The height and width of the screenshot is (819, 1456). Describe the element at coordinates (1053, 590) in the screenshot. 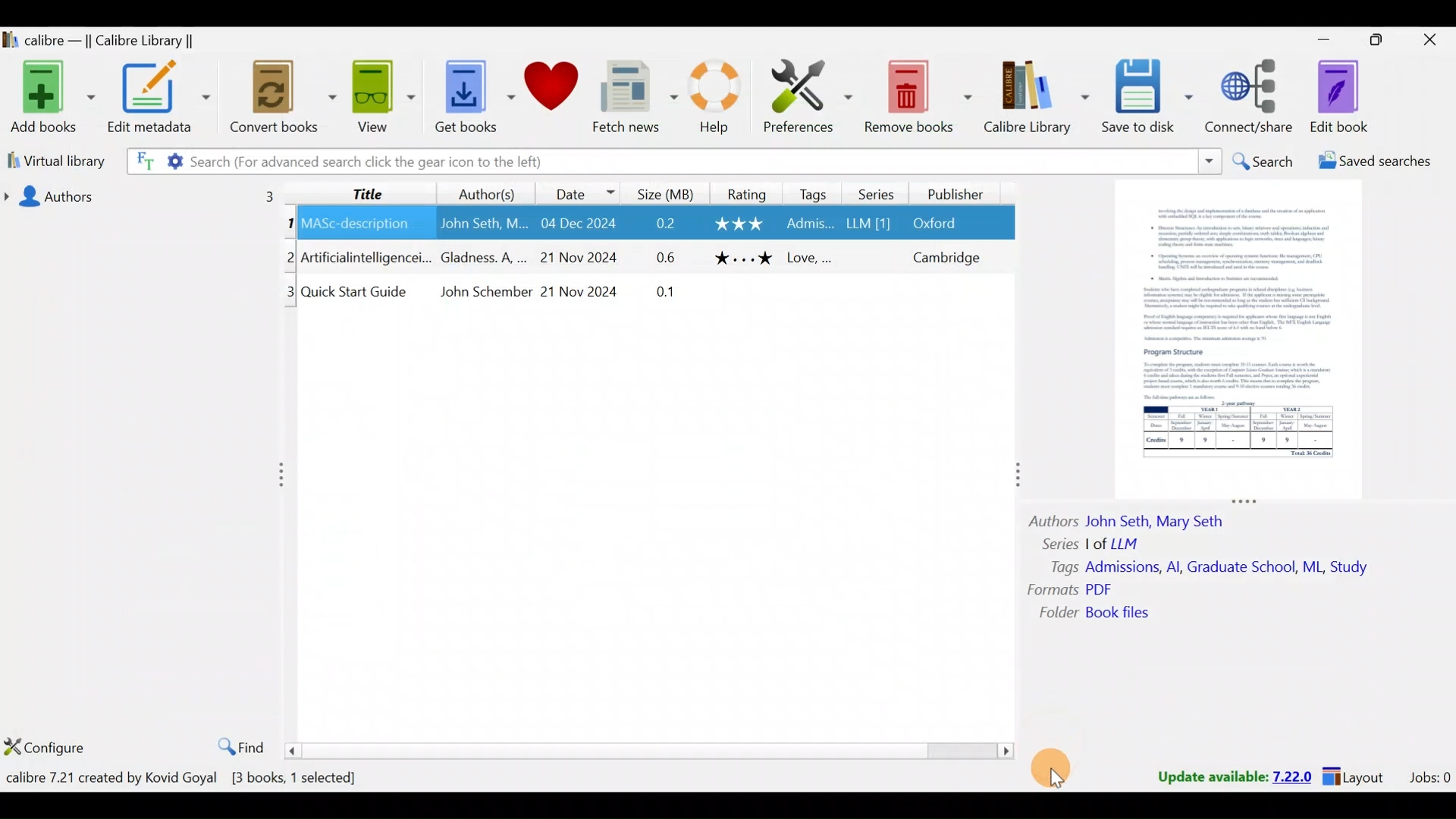

I see `` at that location.